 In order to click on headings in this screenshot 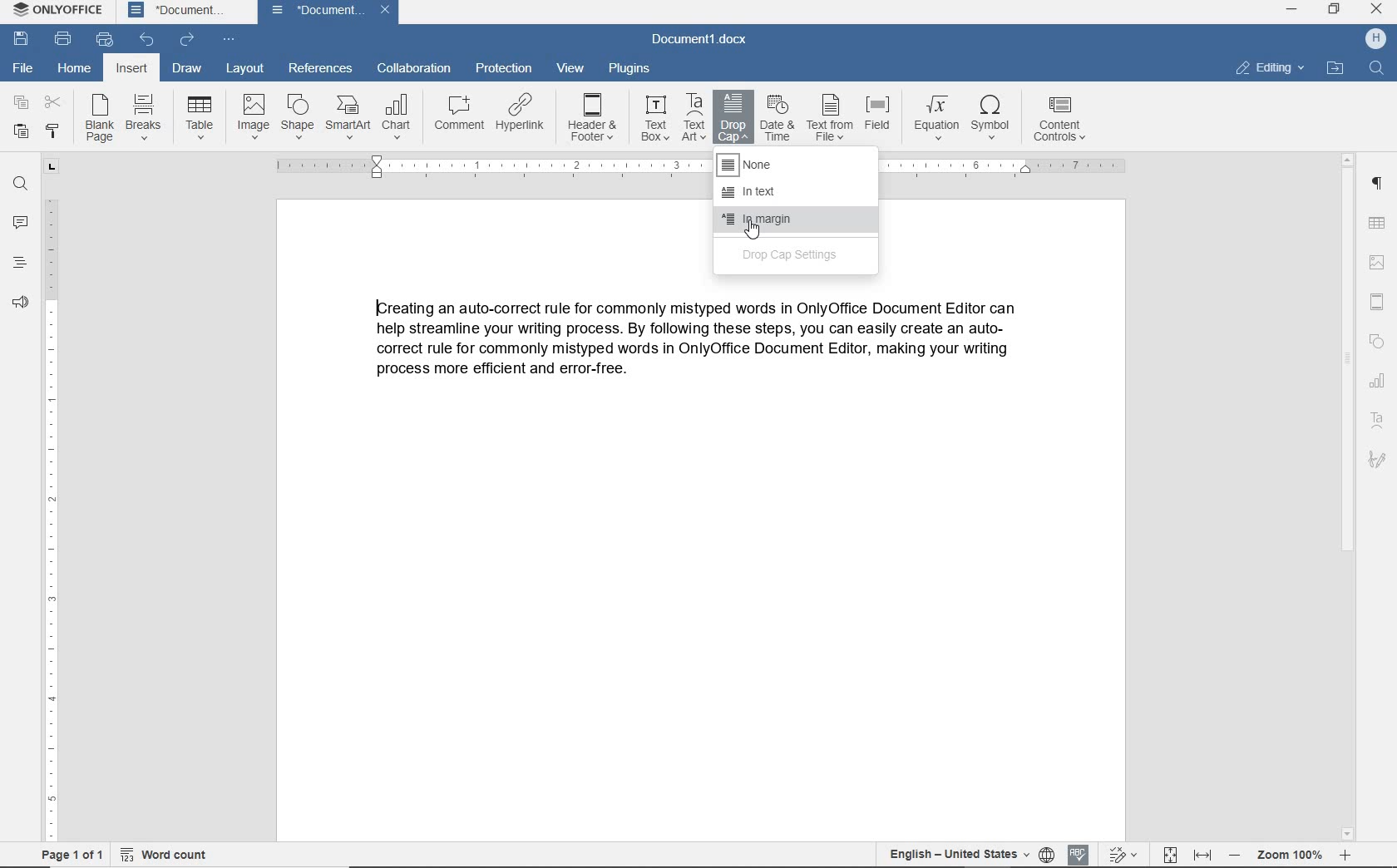, I will do `click(18, 264)`.